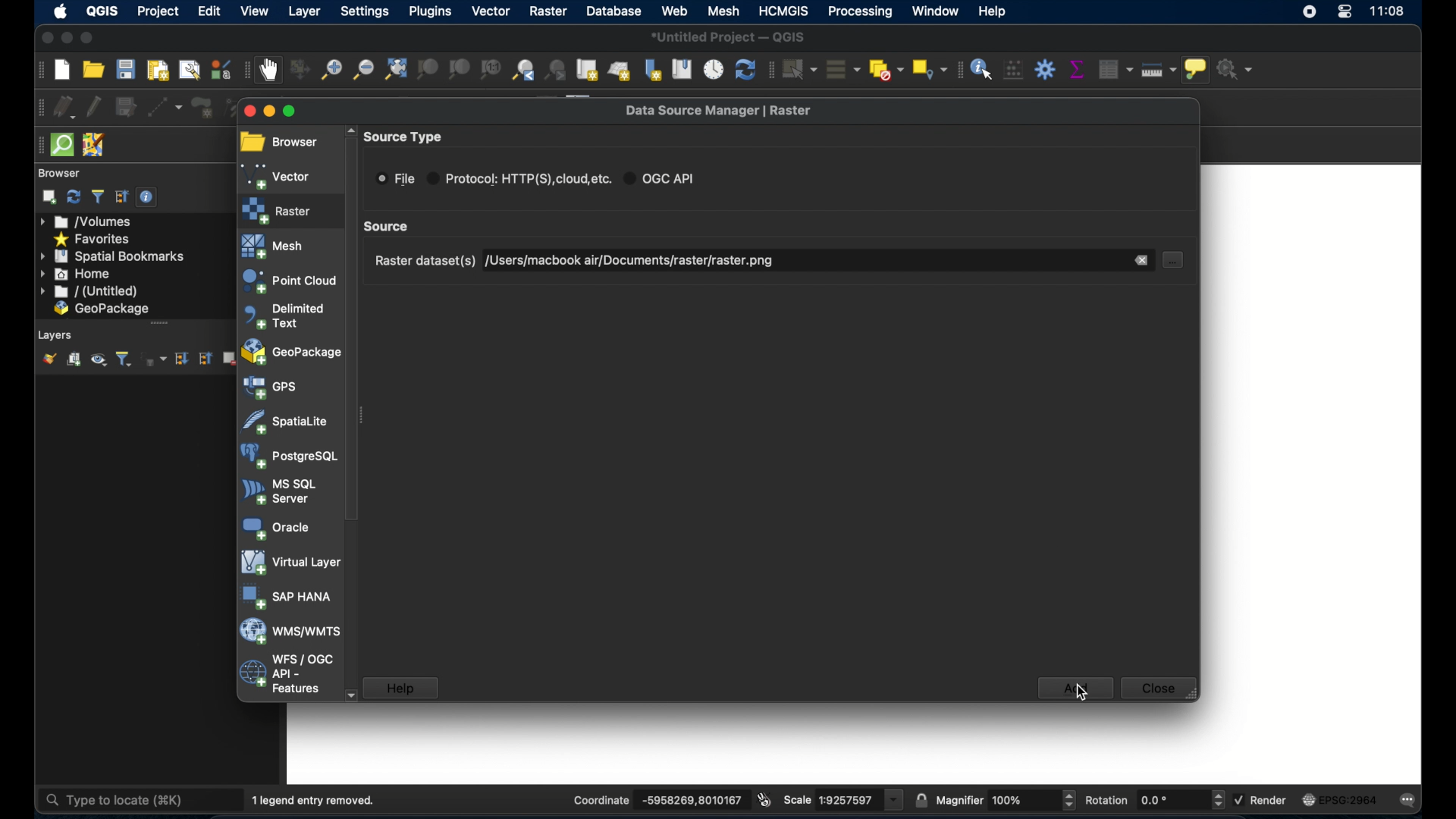  What do you see at coordinates (58, 172) in the screenshot?
I see `browser` at bounding box center [58, 172].